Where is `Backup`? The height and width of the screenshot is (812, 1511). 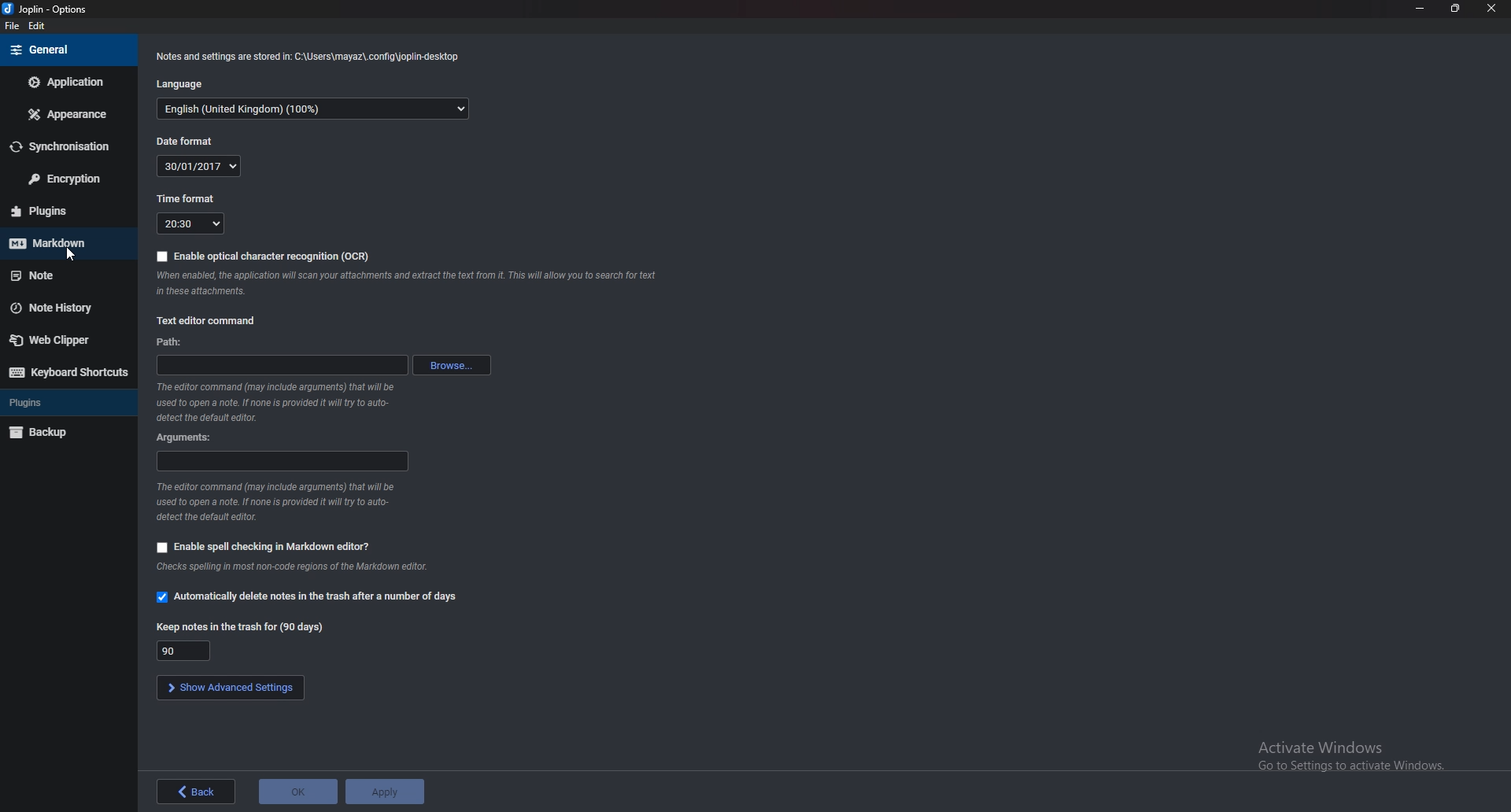 Backup is located at coordinates (62, 432).